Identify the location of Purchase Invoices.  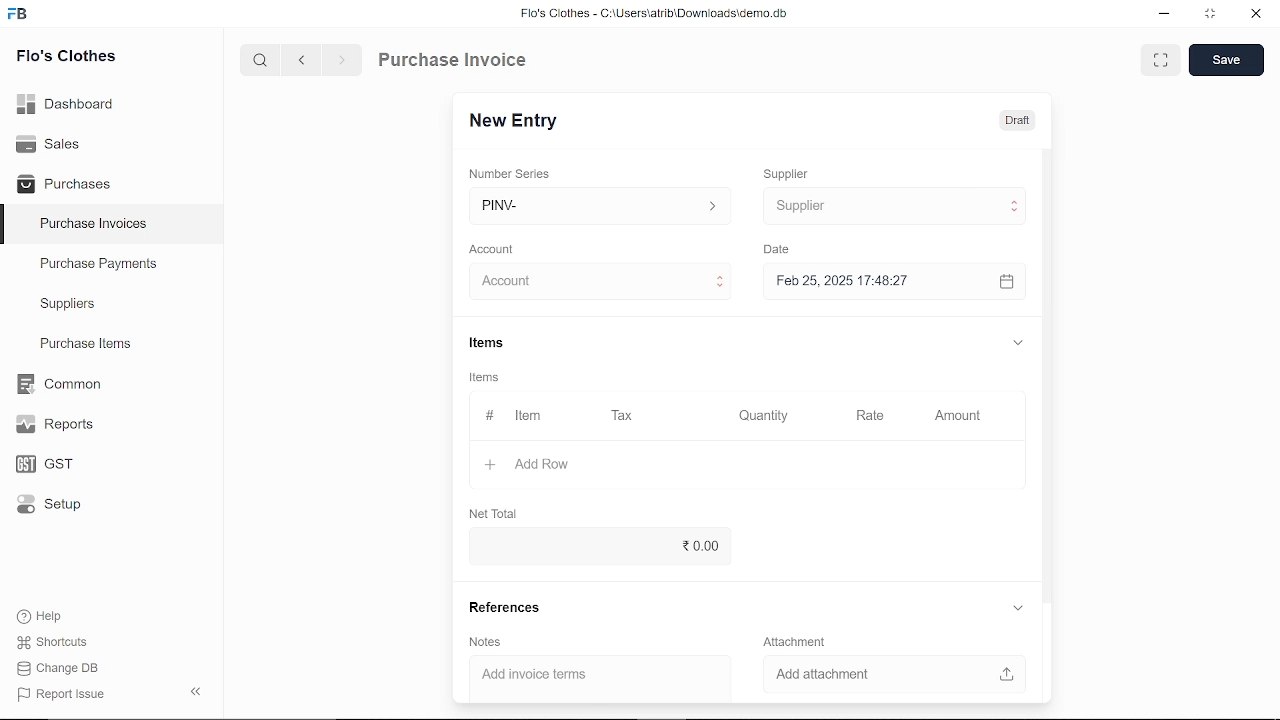
(94, 226).